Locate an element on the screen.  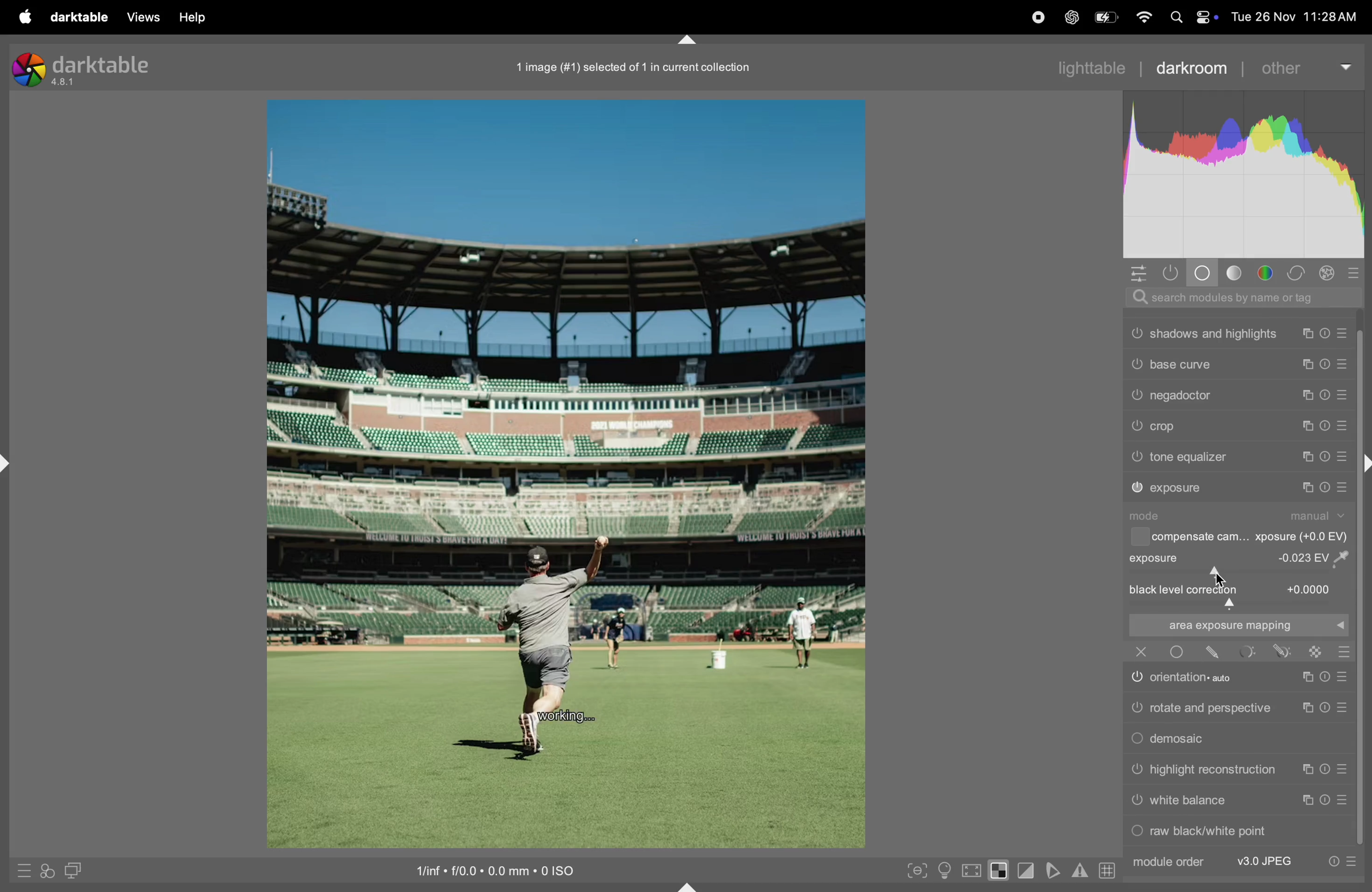
Switch on or off is located at coordinates (1136, 396).